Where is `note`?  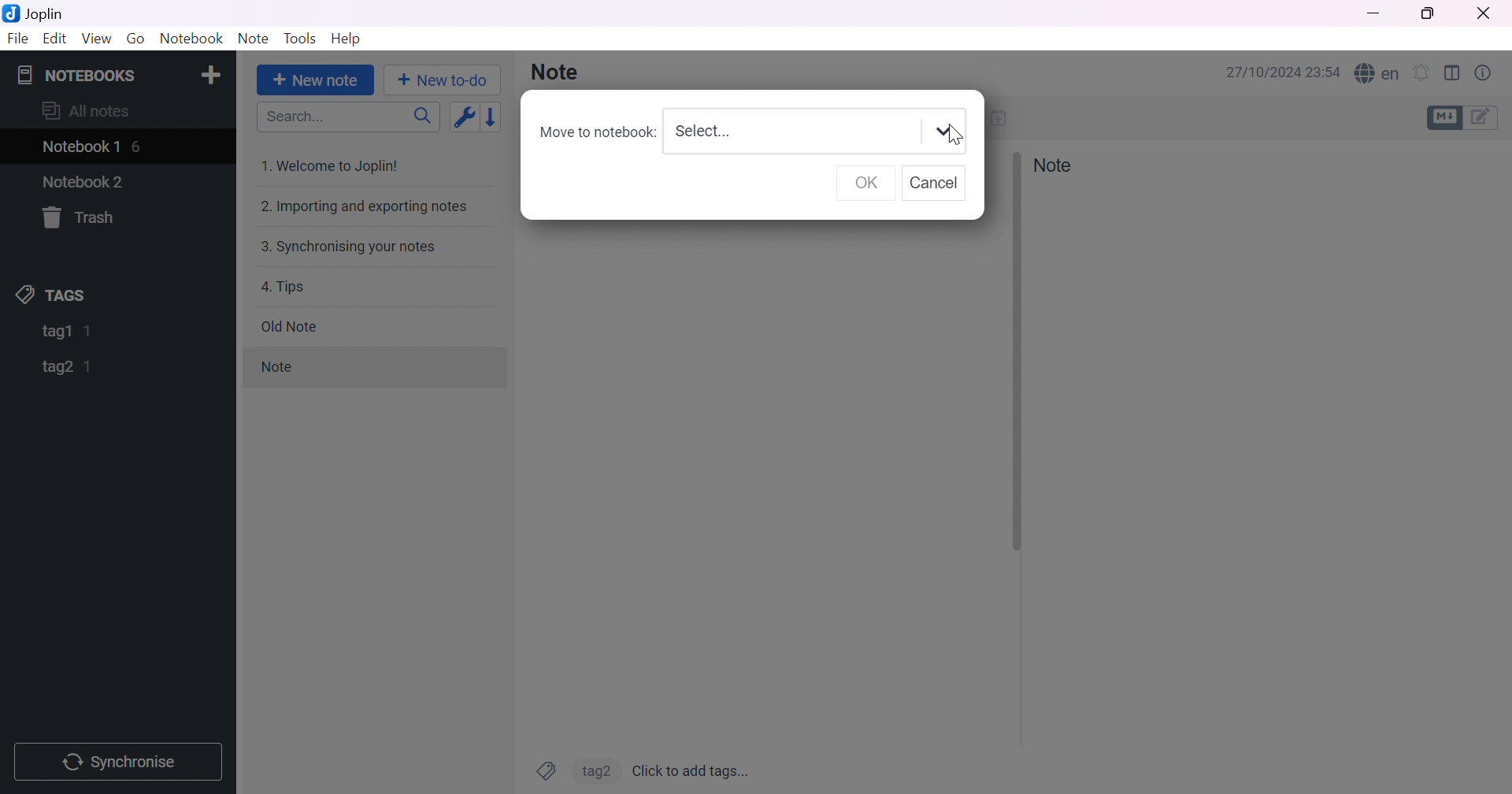 note is located at coordinates (298, 368).